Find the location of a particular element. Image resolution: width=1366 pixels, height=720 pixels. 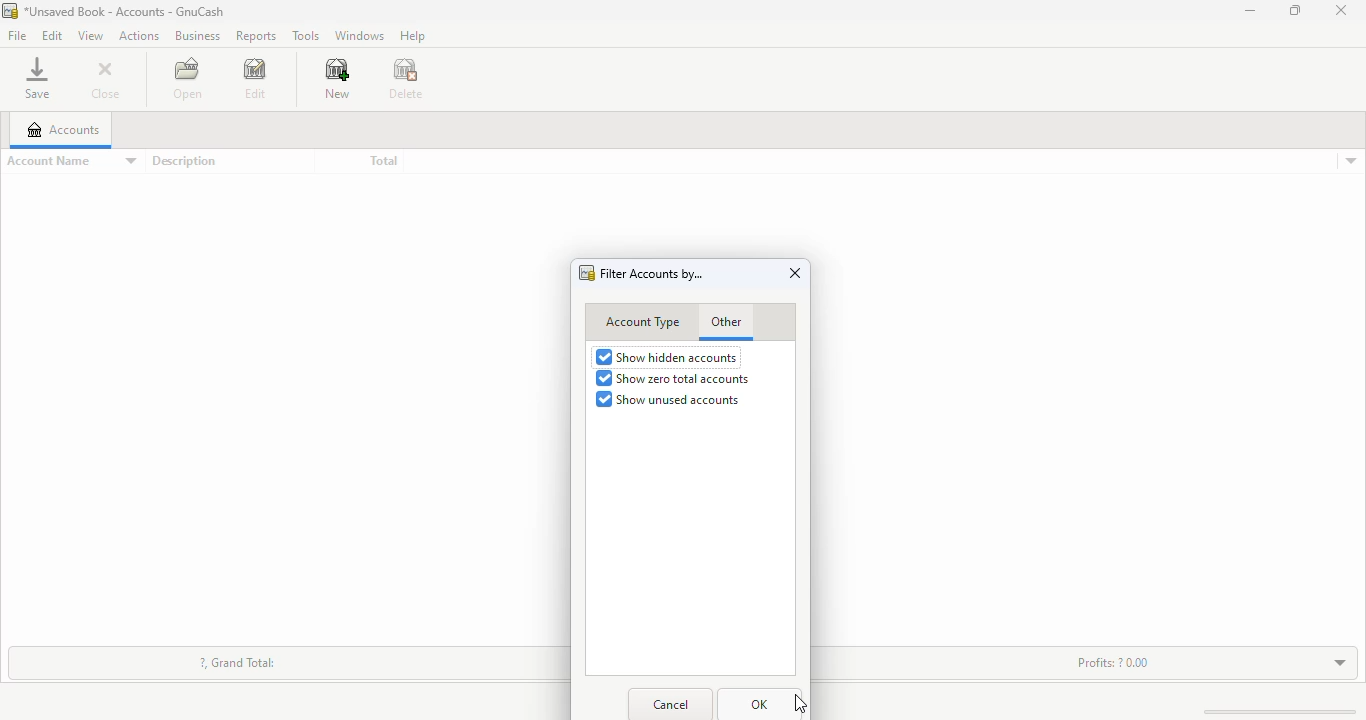

accounts details is located at coordinates (1351, 161).